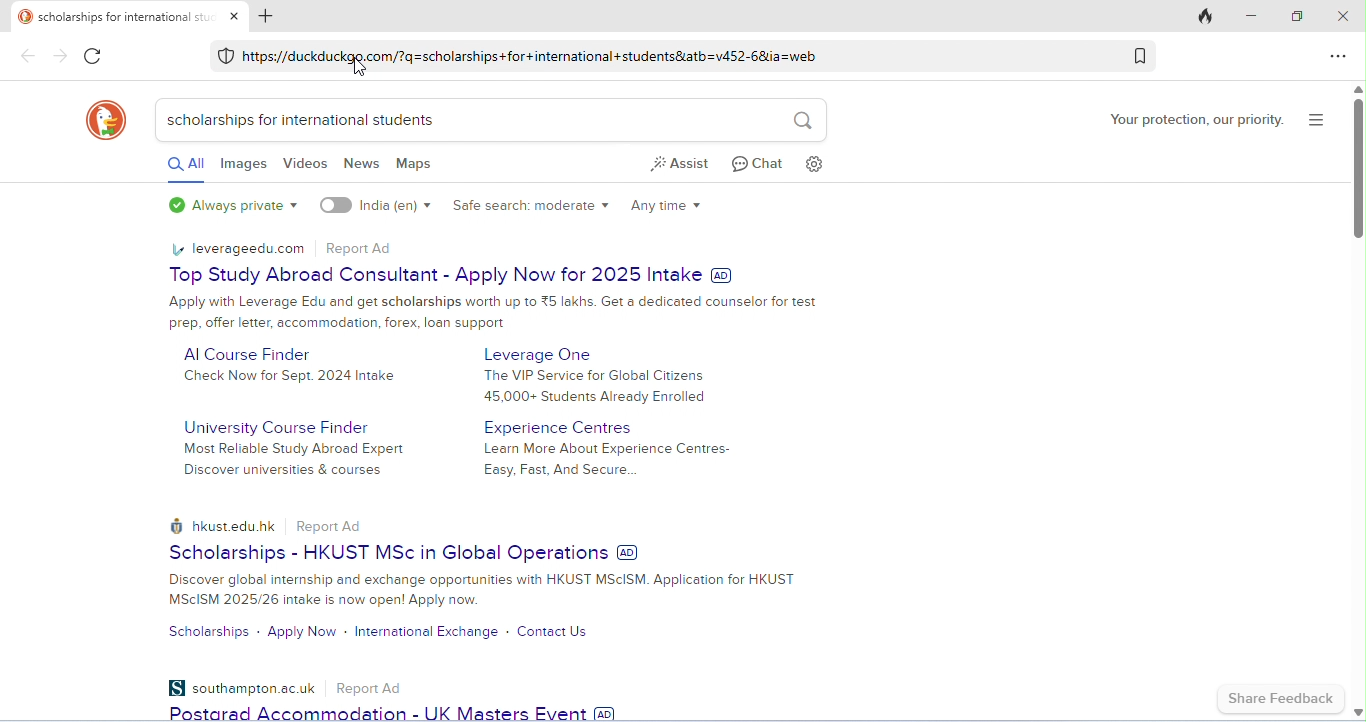 The image size is (1366, 722). I want to click on add new tab, so click(266, 16).